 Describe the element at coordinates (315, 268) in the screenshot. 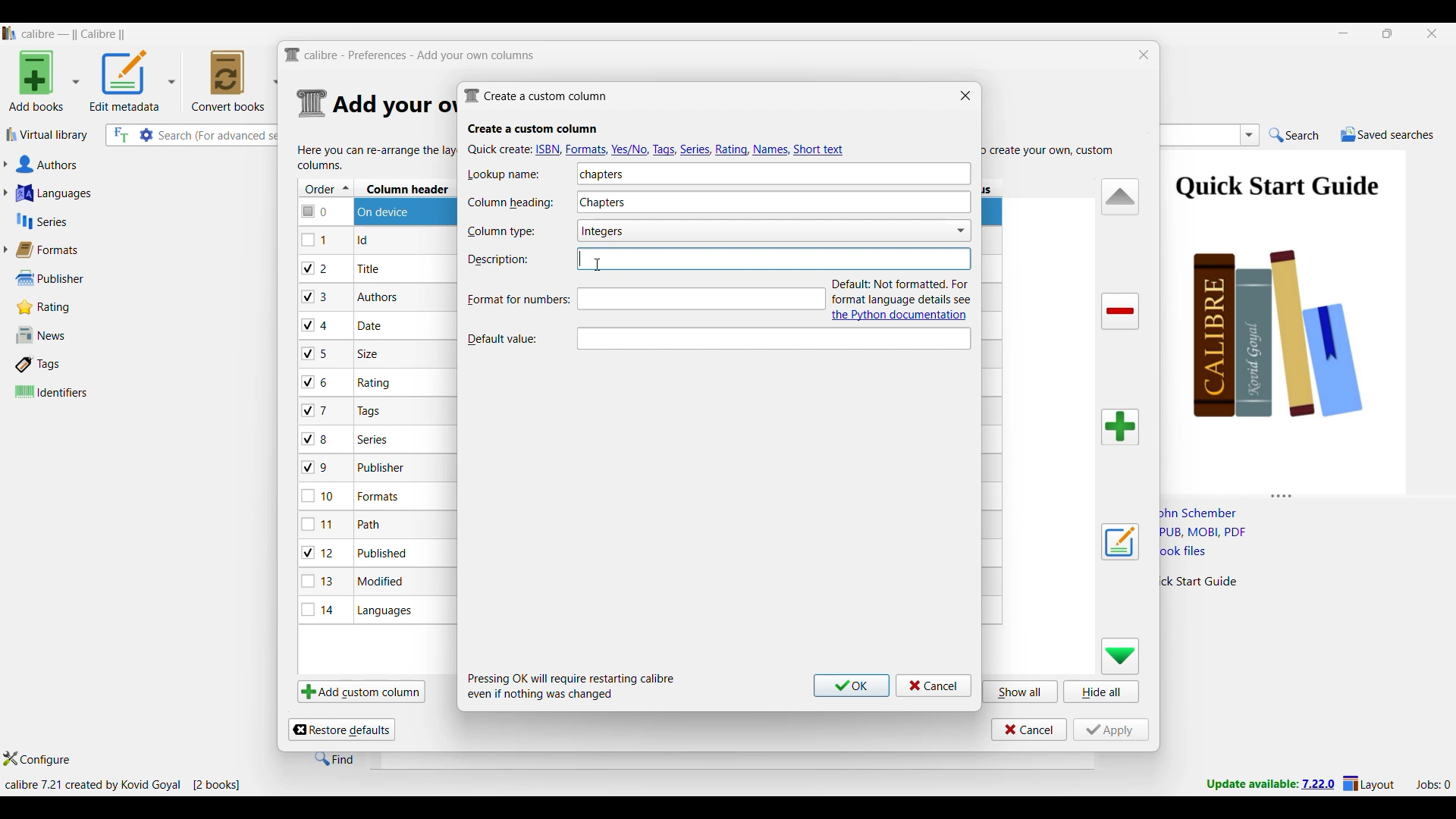

I see `checkbox - 2` at that location.